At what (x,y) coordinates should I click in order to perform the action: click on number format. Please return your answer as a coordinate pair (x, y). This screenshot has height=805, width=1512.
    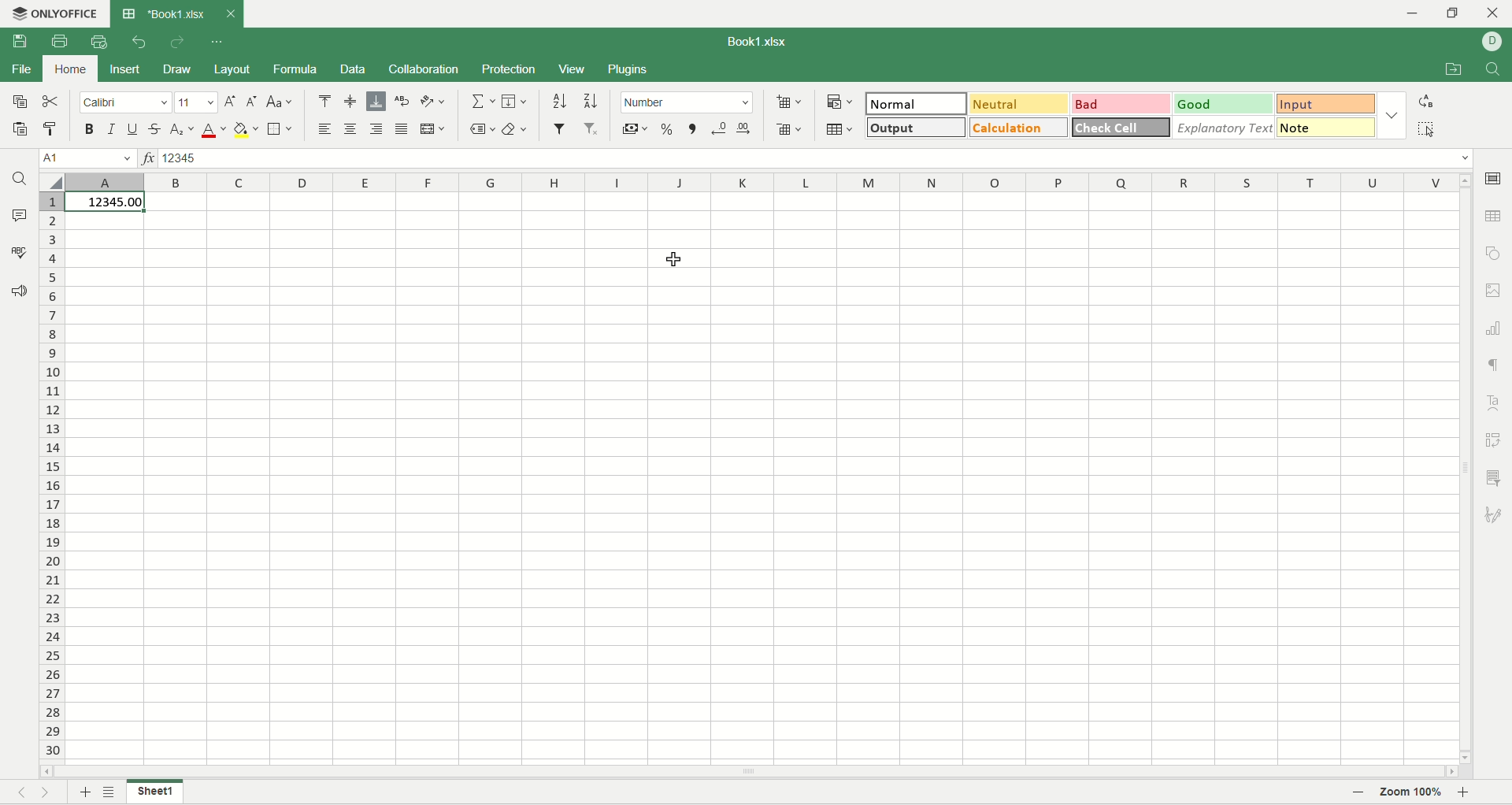
    Looking at the image, I should click on (810, 136).